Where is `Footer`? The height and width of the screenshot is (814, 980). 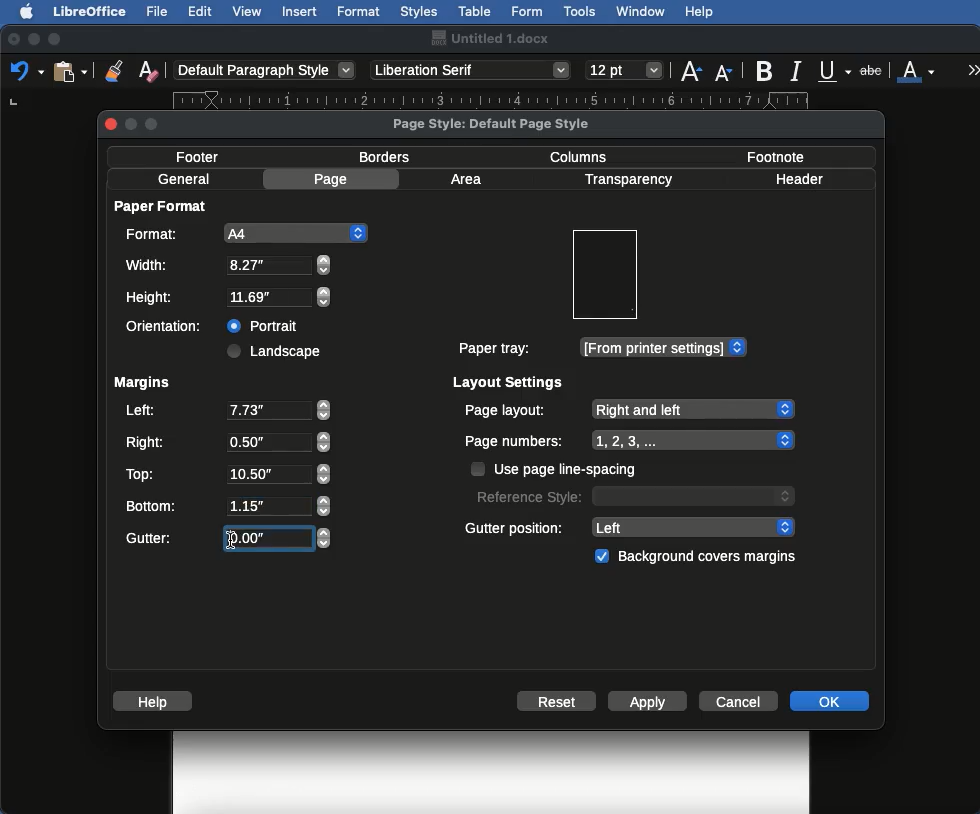 Footer is located at coordinates (204, 156).